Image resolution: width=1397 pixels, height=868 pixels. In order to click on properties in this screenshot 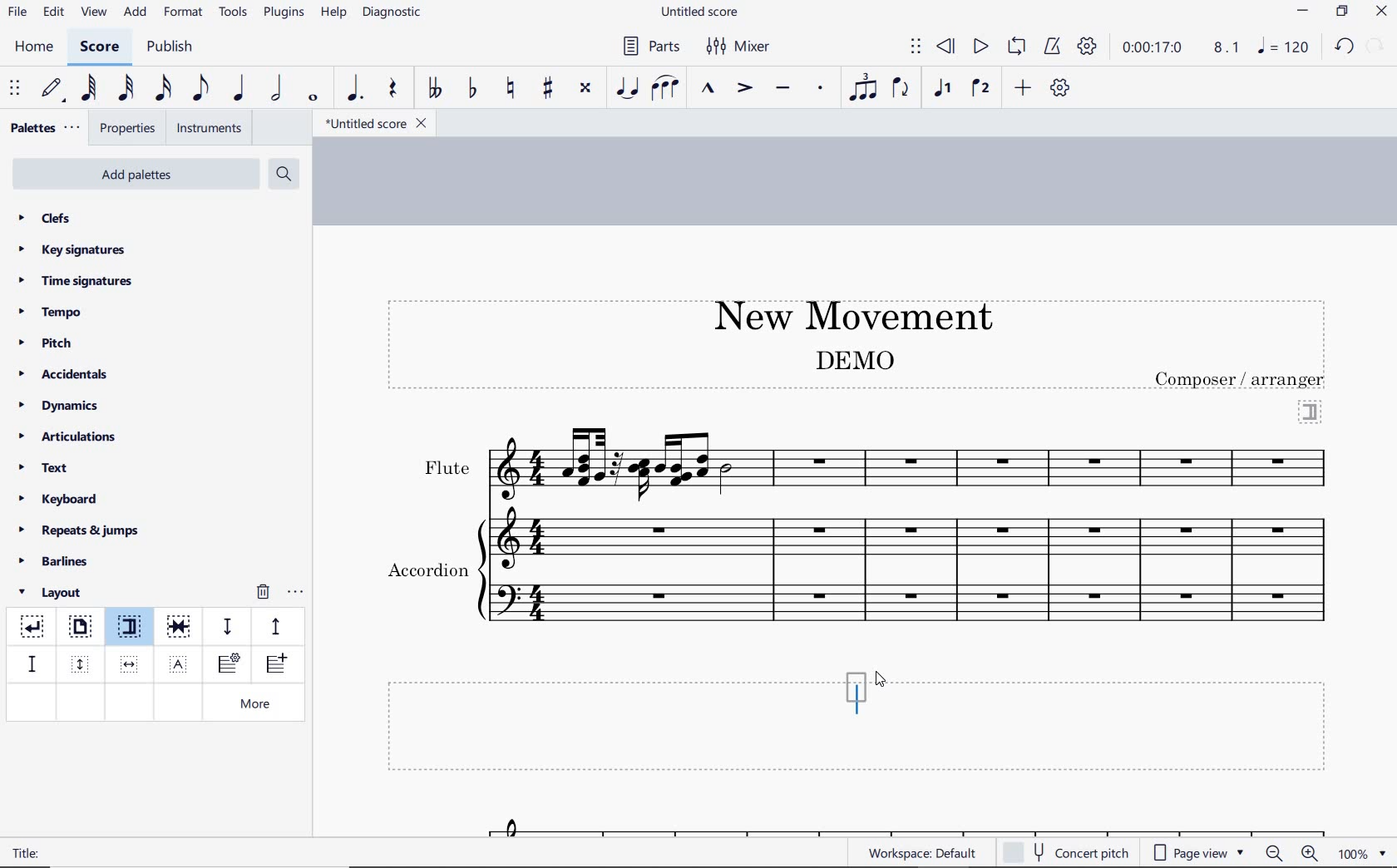, I will do `click(129, 130)`.